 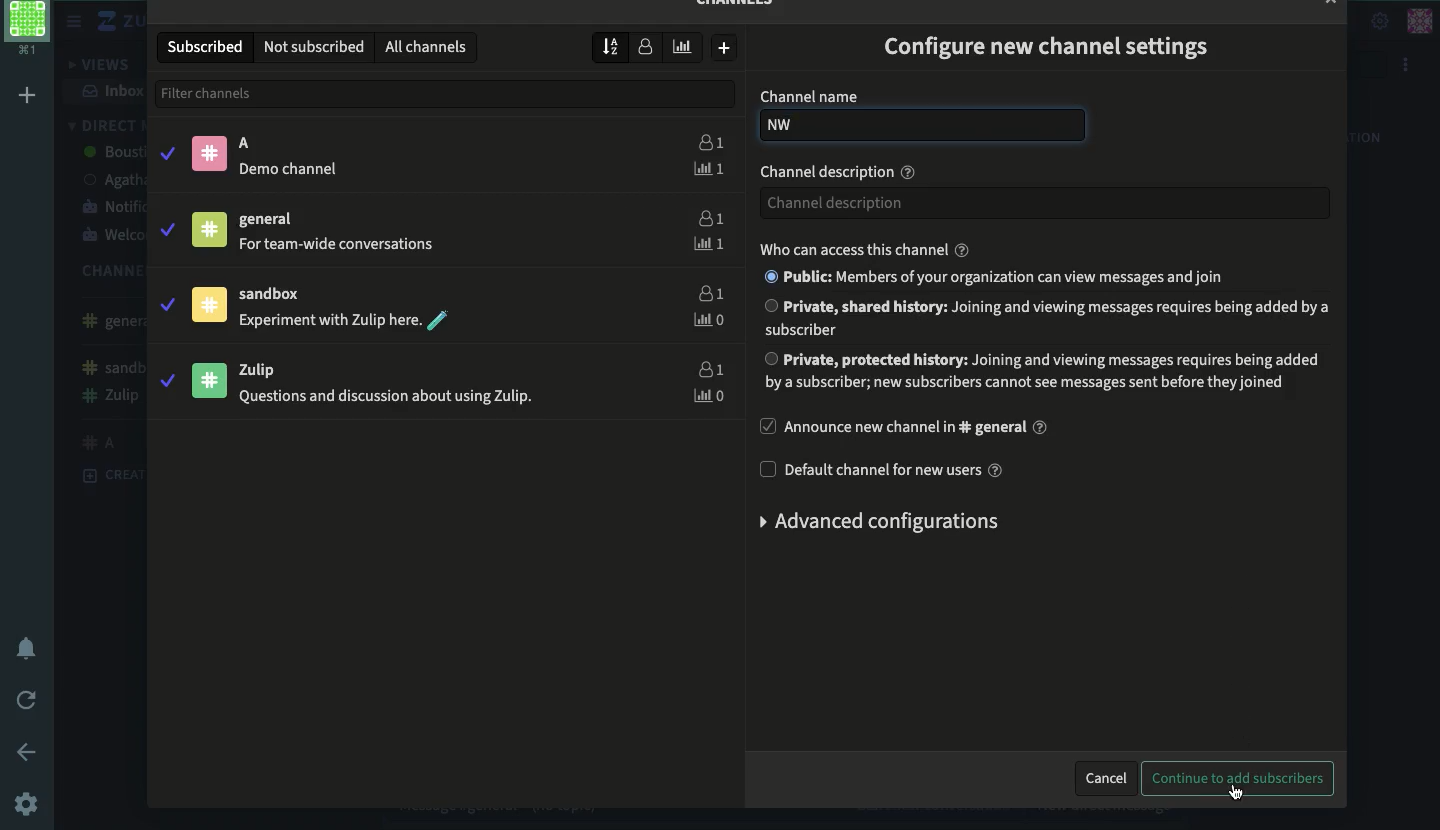 I want to click on NW, so click(x=790, y=126).